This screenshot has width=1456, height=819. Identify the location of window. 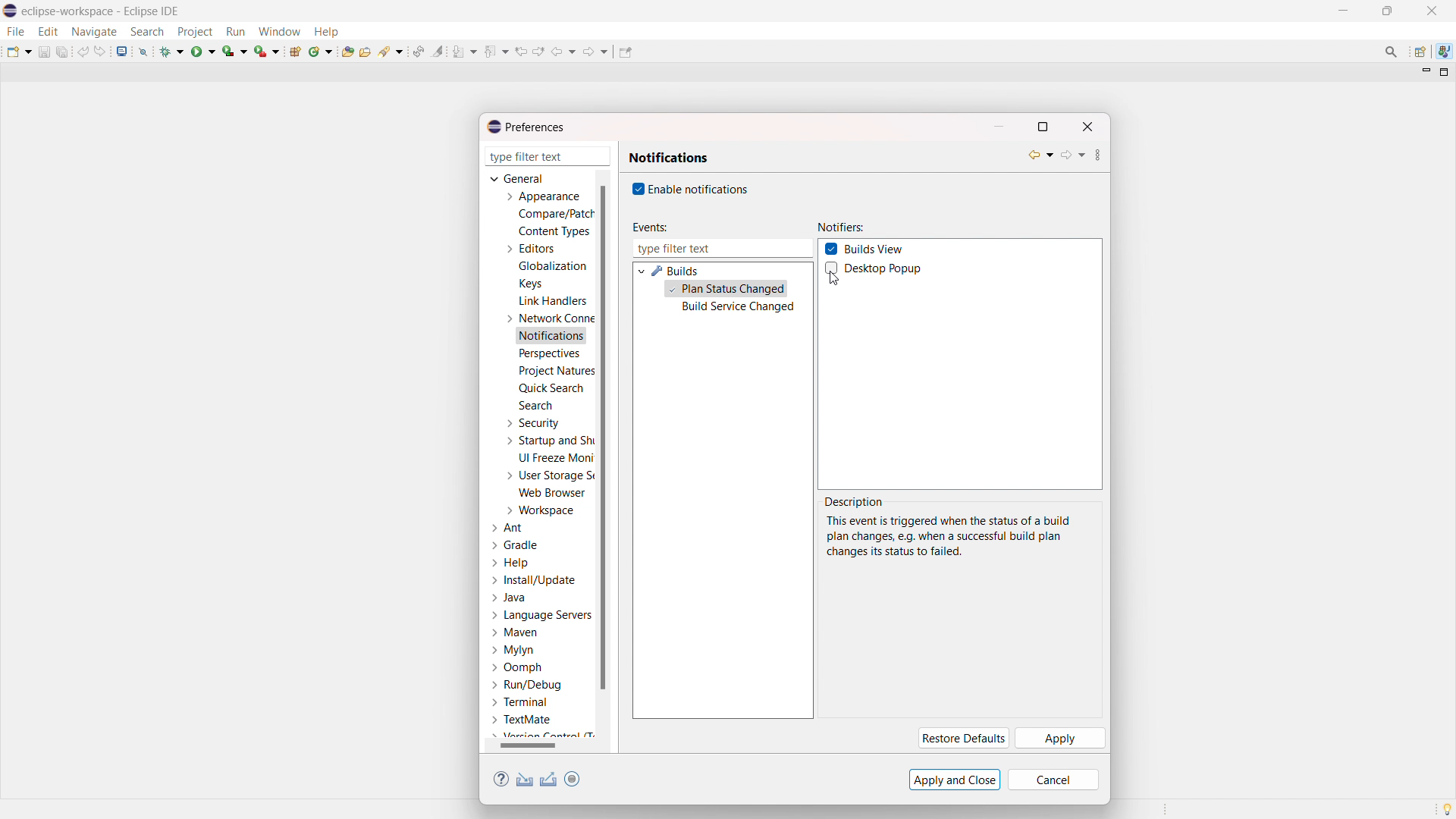
(279, 31).